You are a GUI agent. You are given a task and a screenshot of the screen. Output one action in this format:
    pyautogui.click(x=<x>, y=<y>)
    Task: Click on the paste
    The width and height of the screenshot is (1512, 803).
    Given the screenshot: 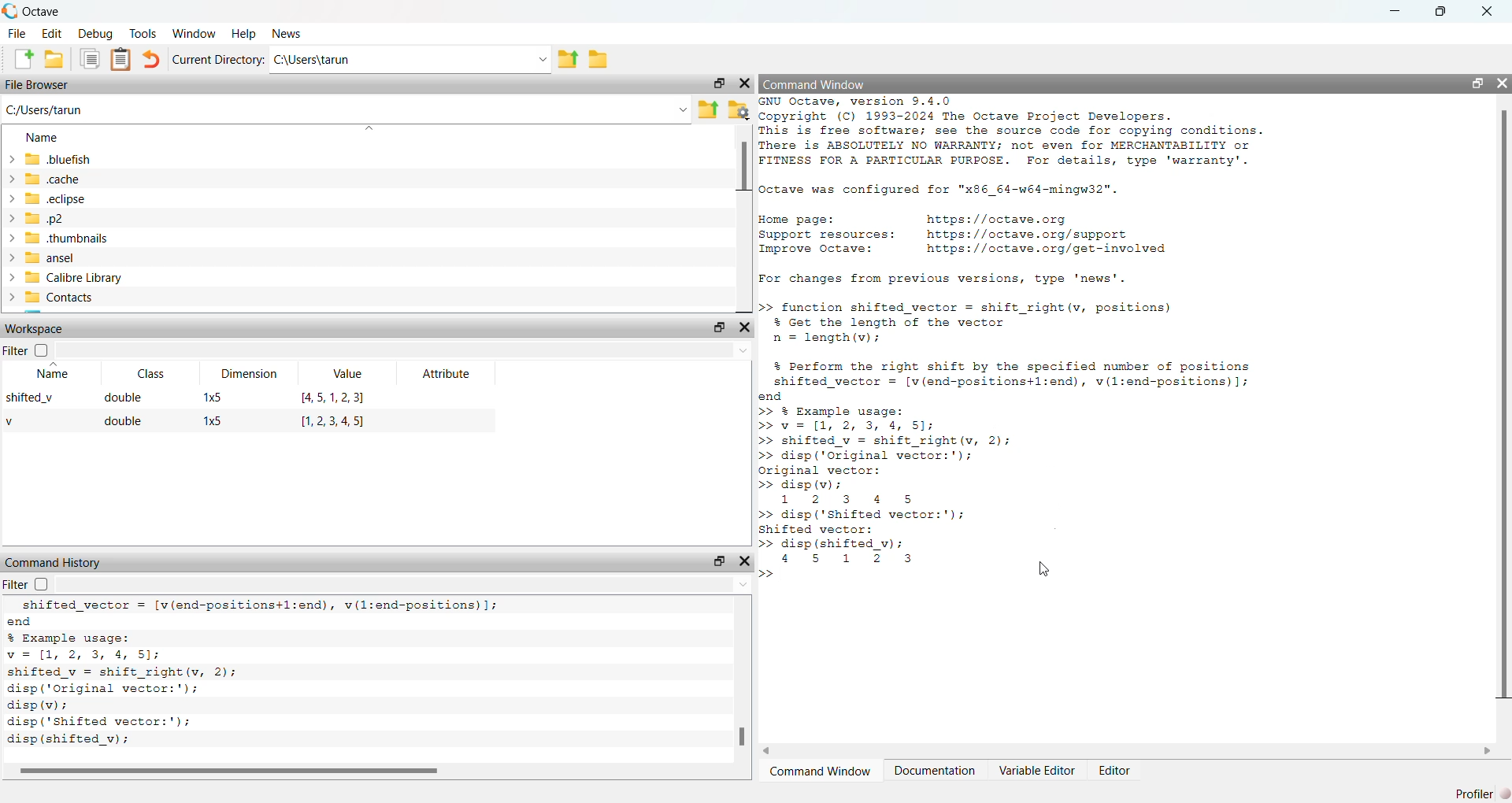 What is the action you would take?
    pyautogui.click(x=118, y=61)
    